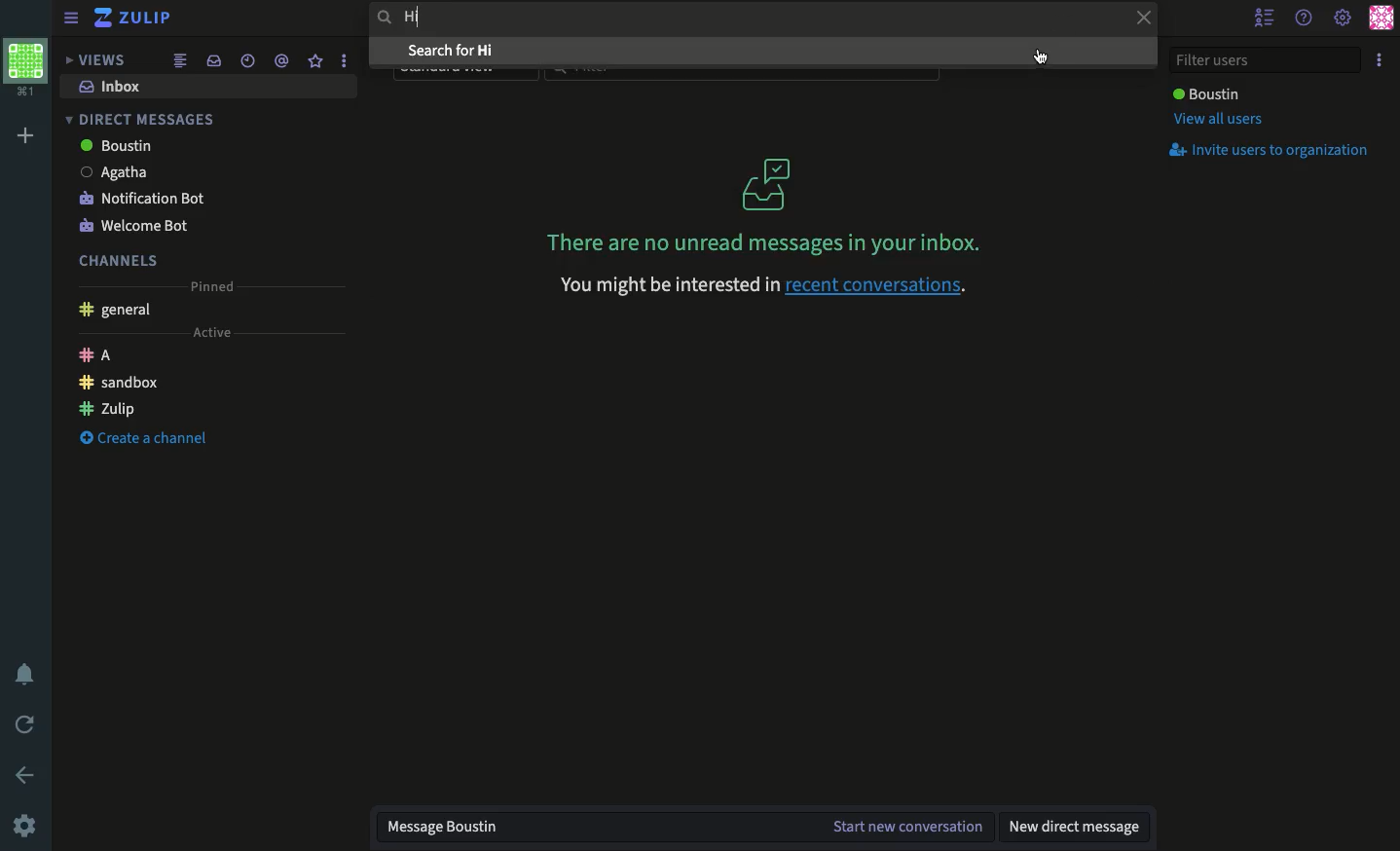  I want to click on recent conversations, so click(876, 287).